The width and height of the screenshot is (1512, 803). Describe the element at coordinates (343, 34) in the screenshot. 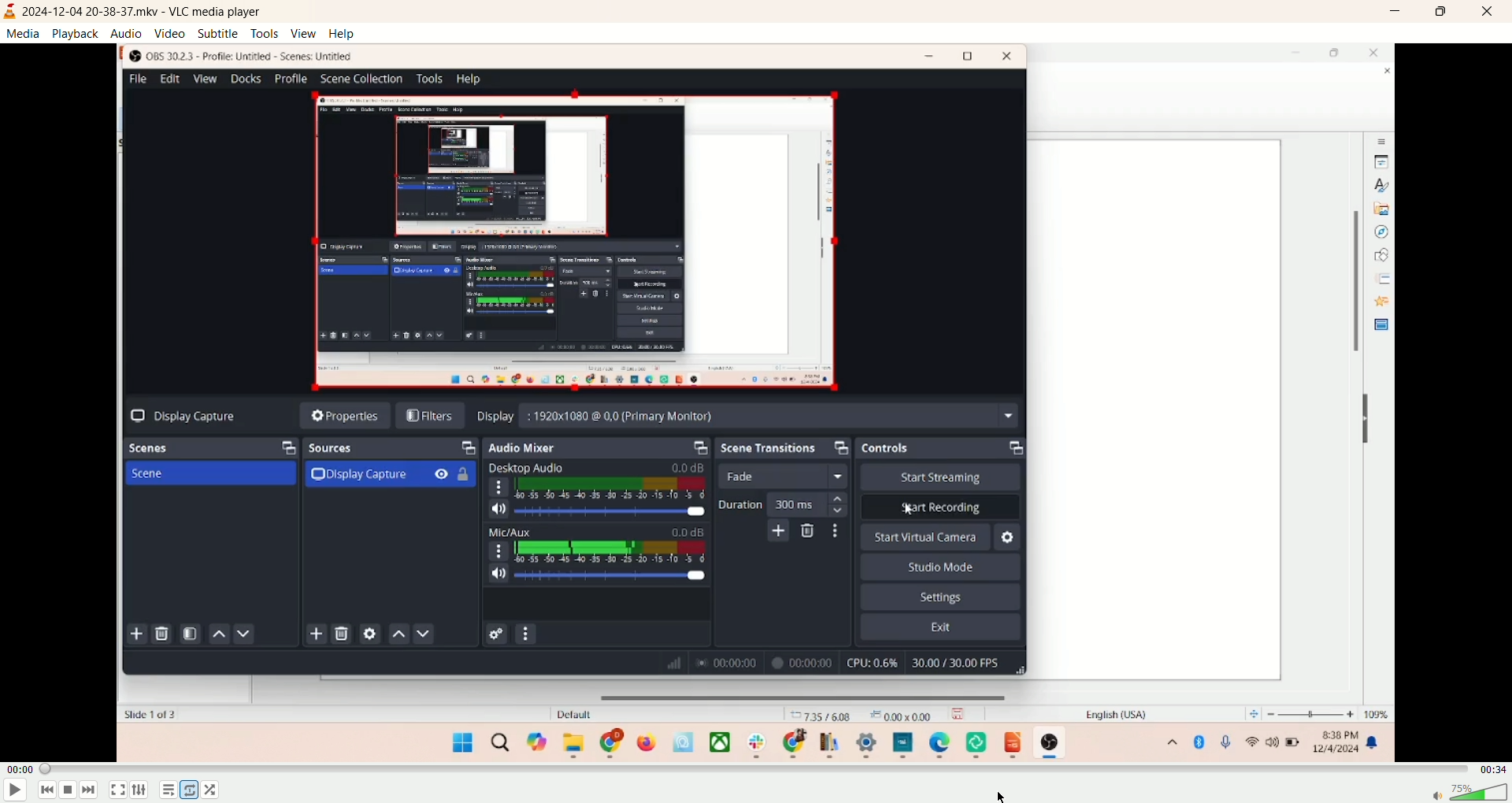

I see `help` at that location.